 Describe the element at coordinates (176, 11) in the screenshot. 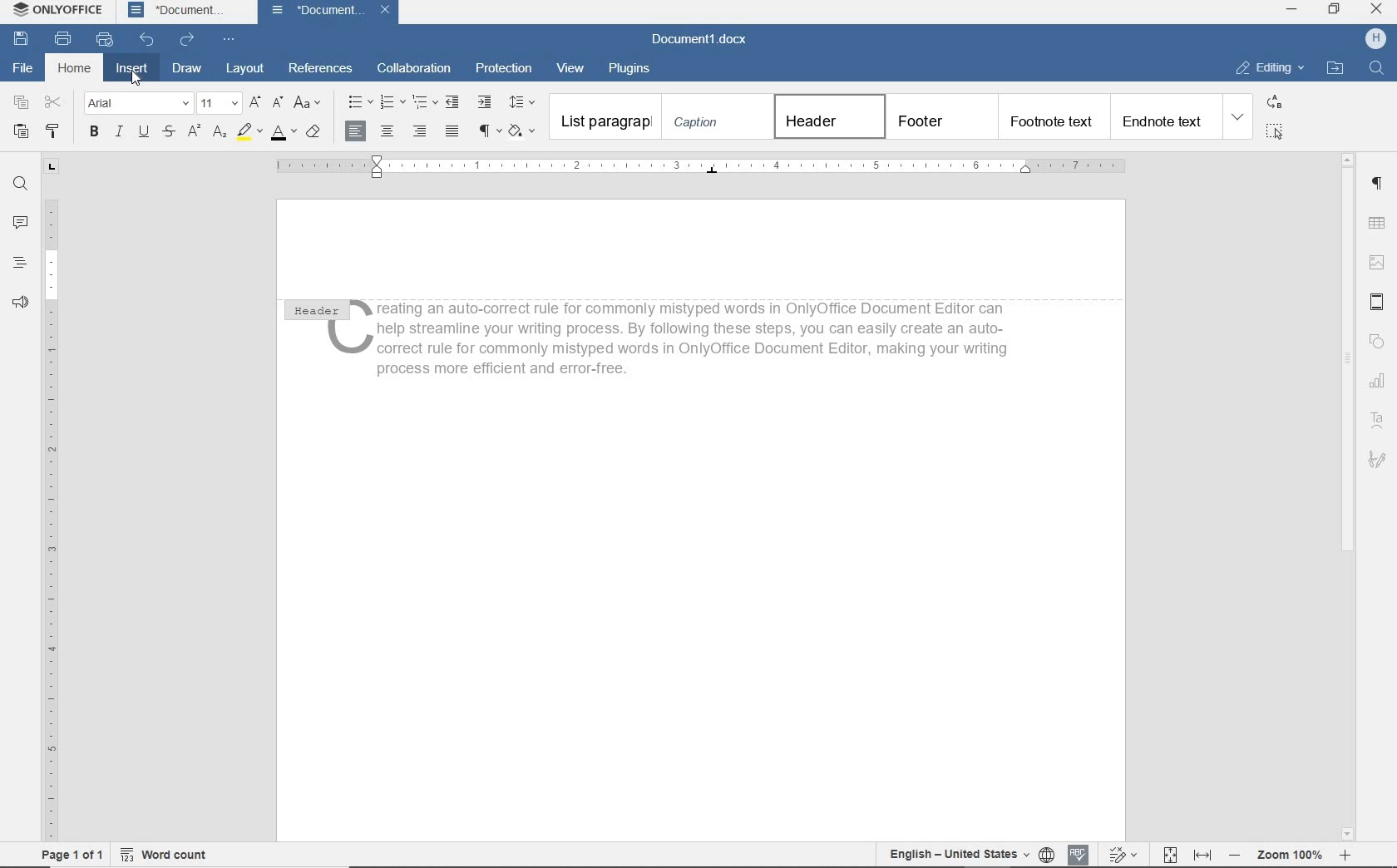

I see `DOCUMENT NAME` at that location.